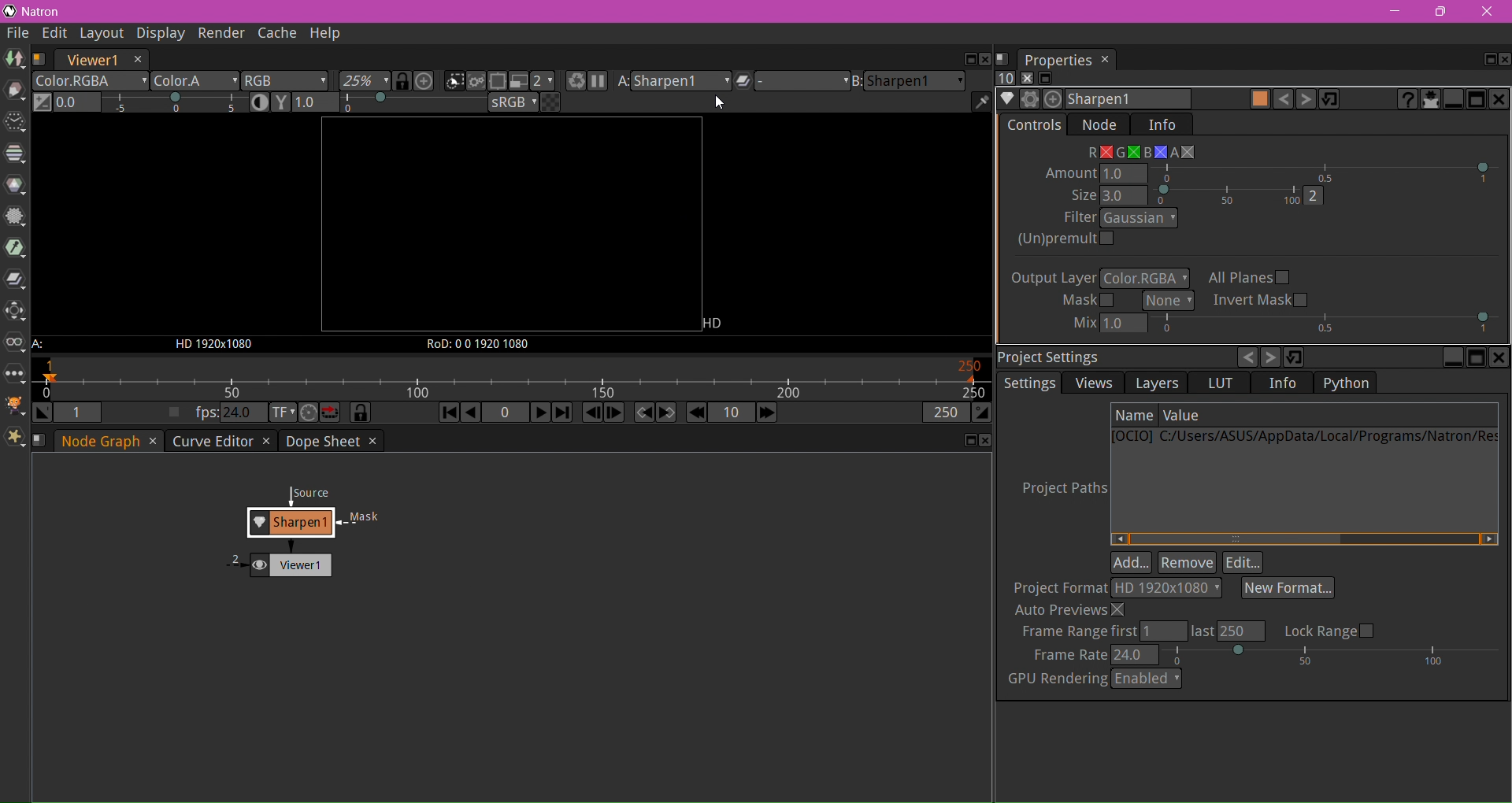  Describe the element at coordinates (1135, 415) in the screenshot. I see `Name` at that location.